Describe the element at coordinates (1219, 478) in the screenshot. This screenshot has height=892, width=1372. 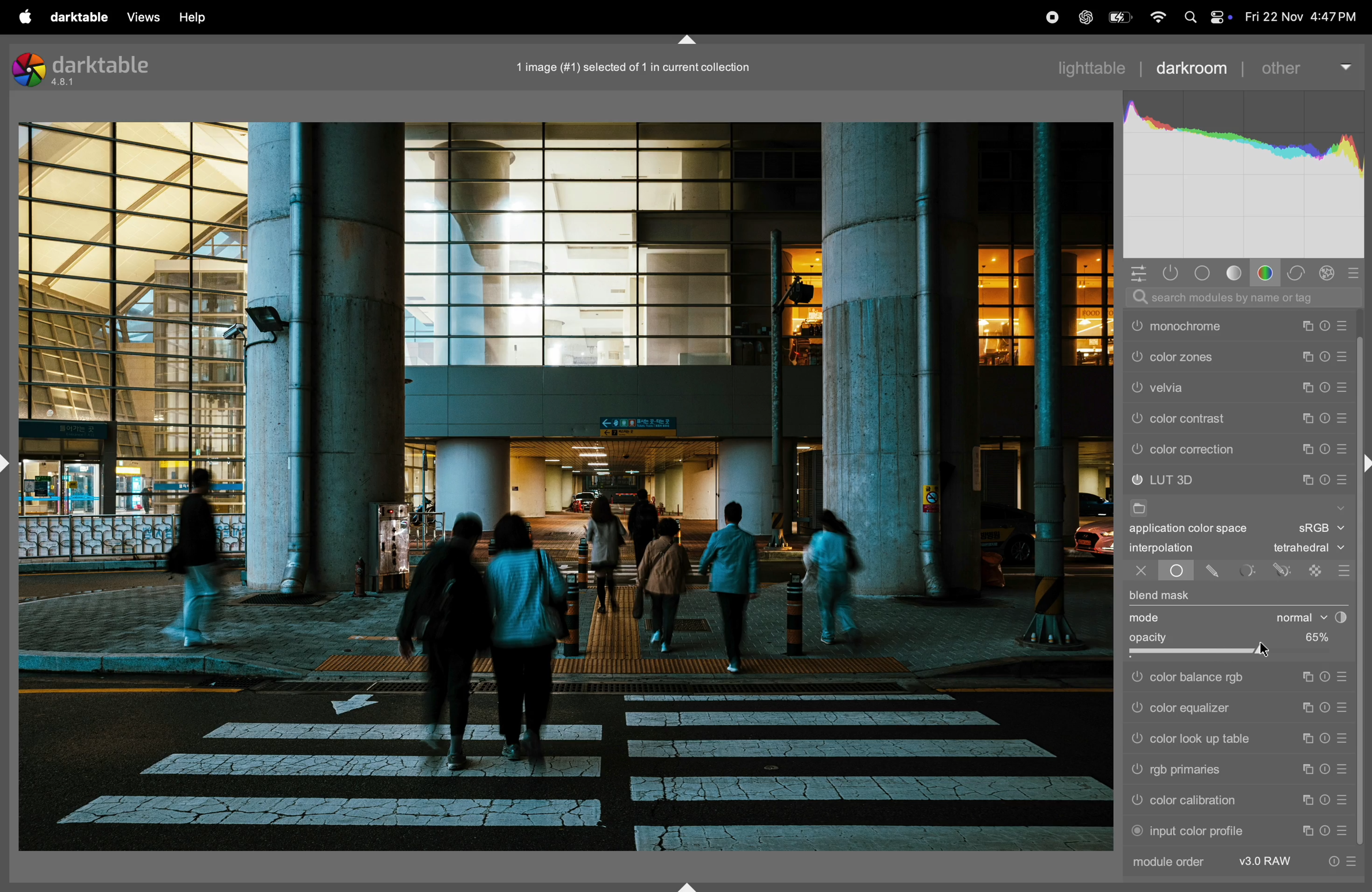
I see `LUT 3d` at that location.